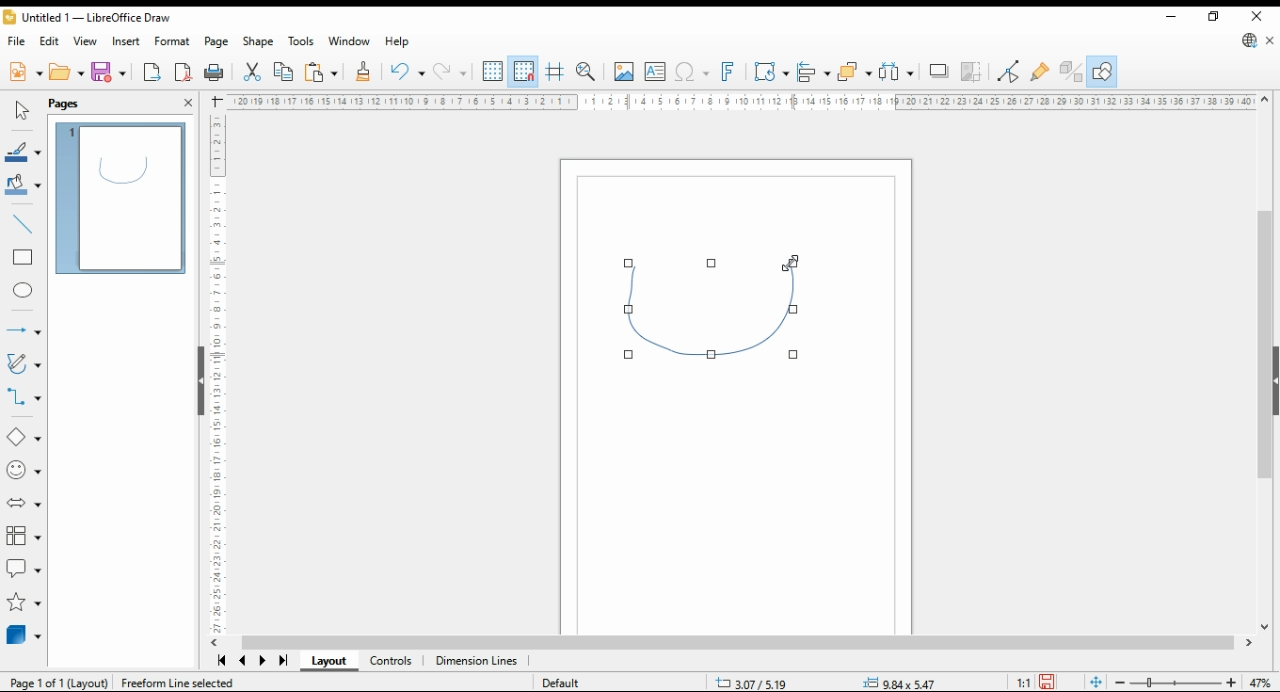 The width and height of the screenshot is (1280, 692). I want to click on new, so click(25, 73).